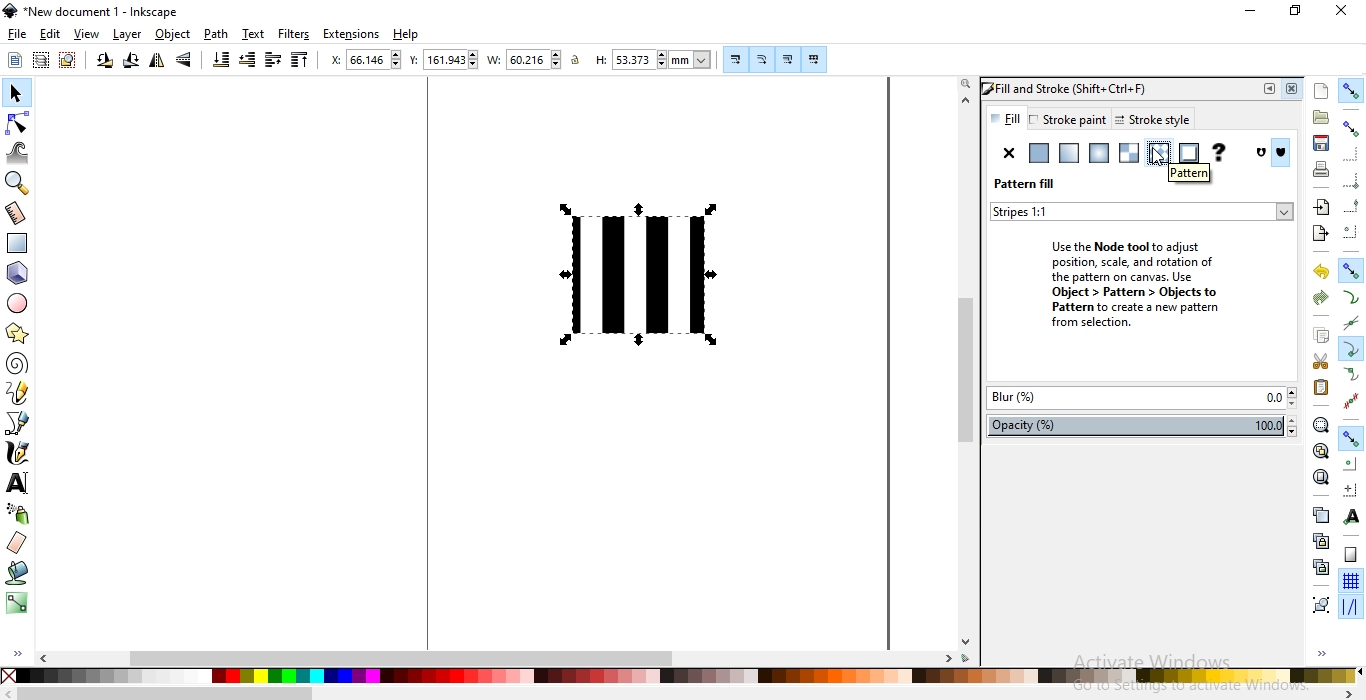  I want to click on width of selection, so click(496, 60).